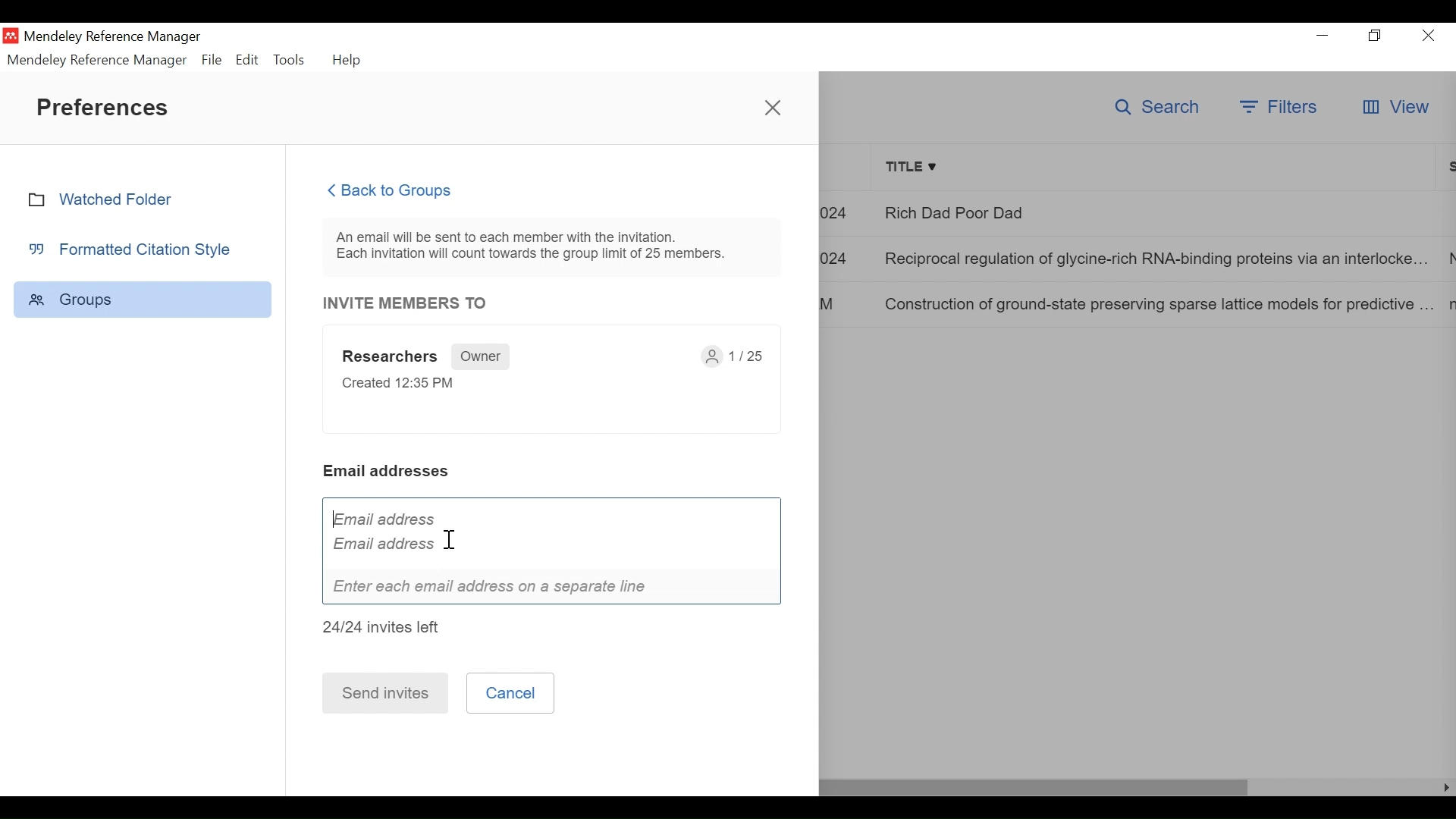  Describe the element at coordinates (388, 470) in the screenshot. I see `Email addresses` at that location.